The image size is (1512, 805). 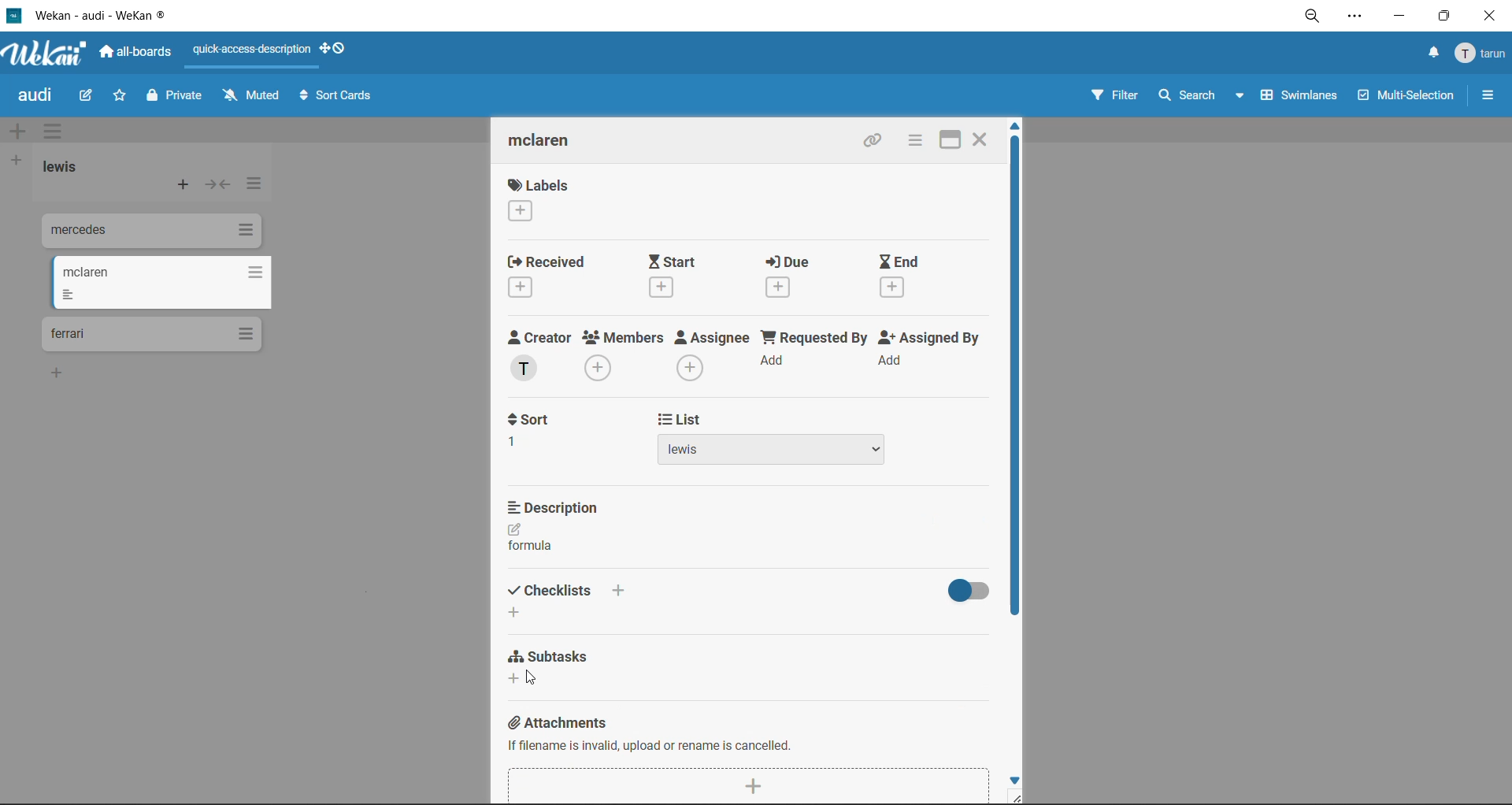 I want to click on metadata, so click(x=653, y=744).